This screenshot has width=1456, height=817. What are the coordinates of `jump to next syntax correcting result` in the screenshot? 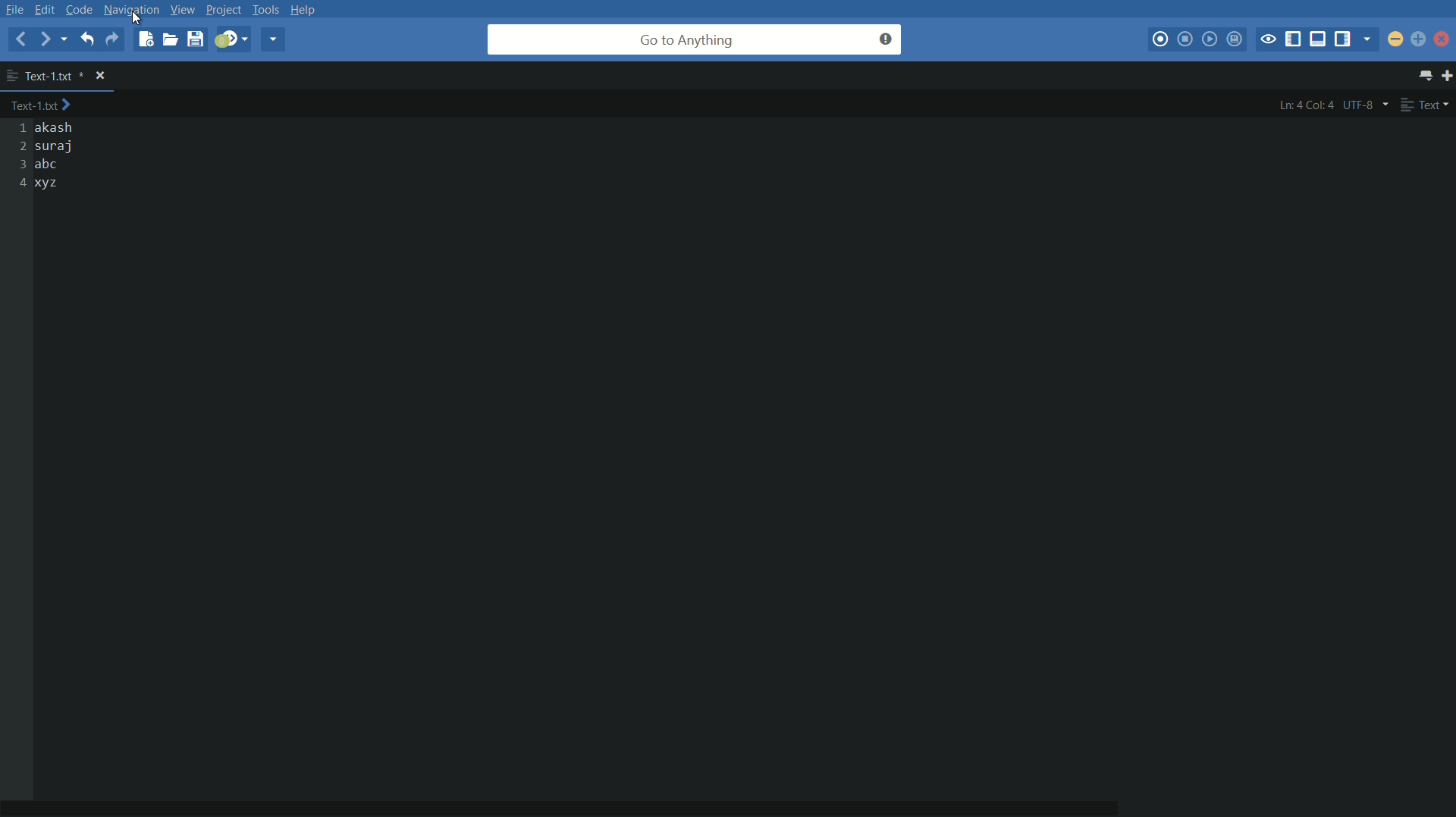 It's located at (231, 39).